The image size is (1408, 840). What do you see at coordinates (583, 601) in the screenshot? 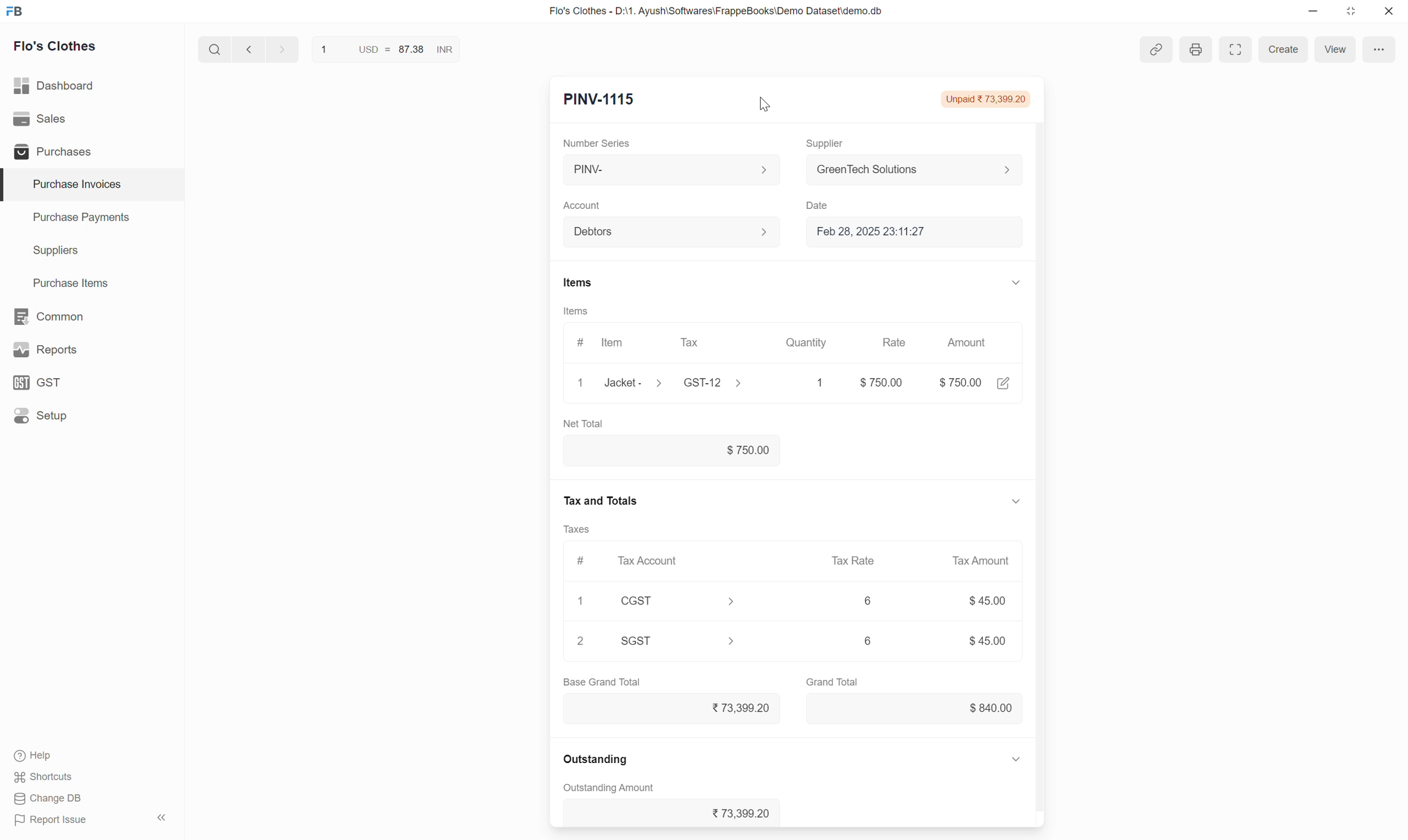
I see `1` at bounding box center [583, 601].